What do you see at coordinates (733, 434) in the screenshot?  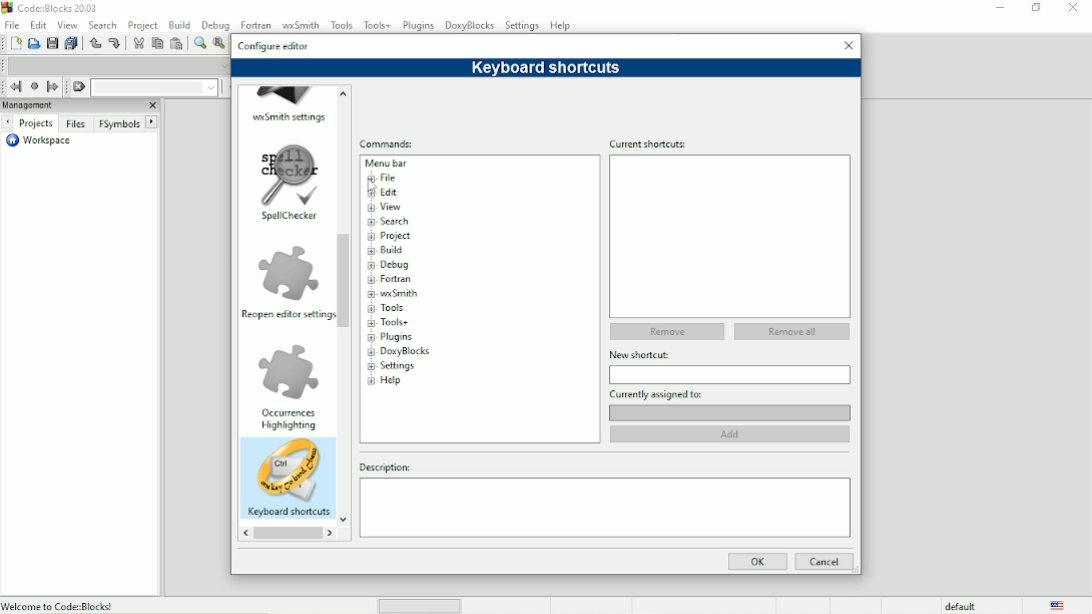 I see `Add` at bounding box center [733, 434].